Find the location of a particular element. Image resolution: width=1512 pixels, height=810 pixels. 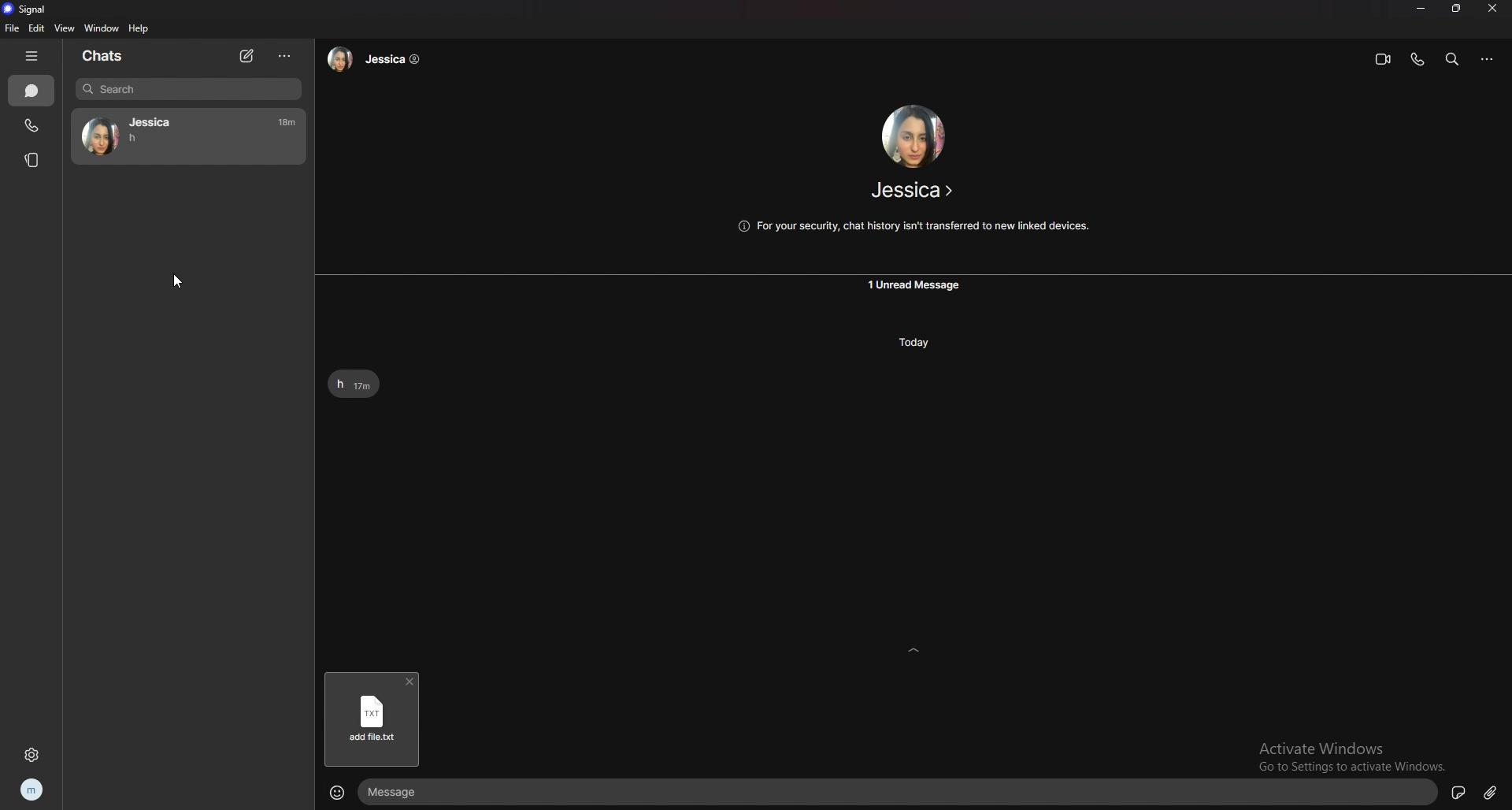

settings is located at coordinates (31, 755).